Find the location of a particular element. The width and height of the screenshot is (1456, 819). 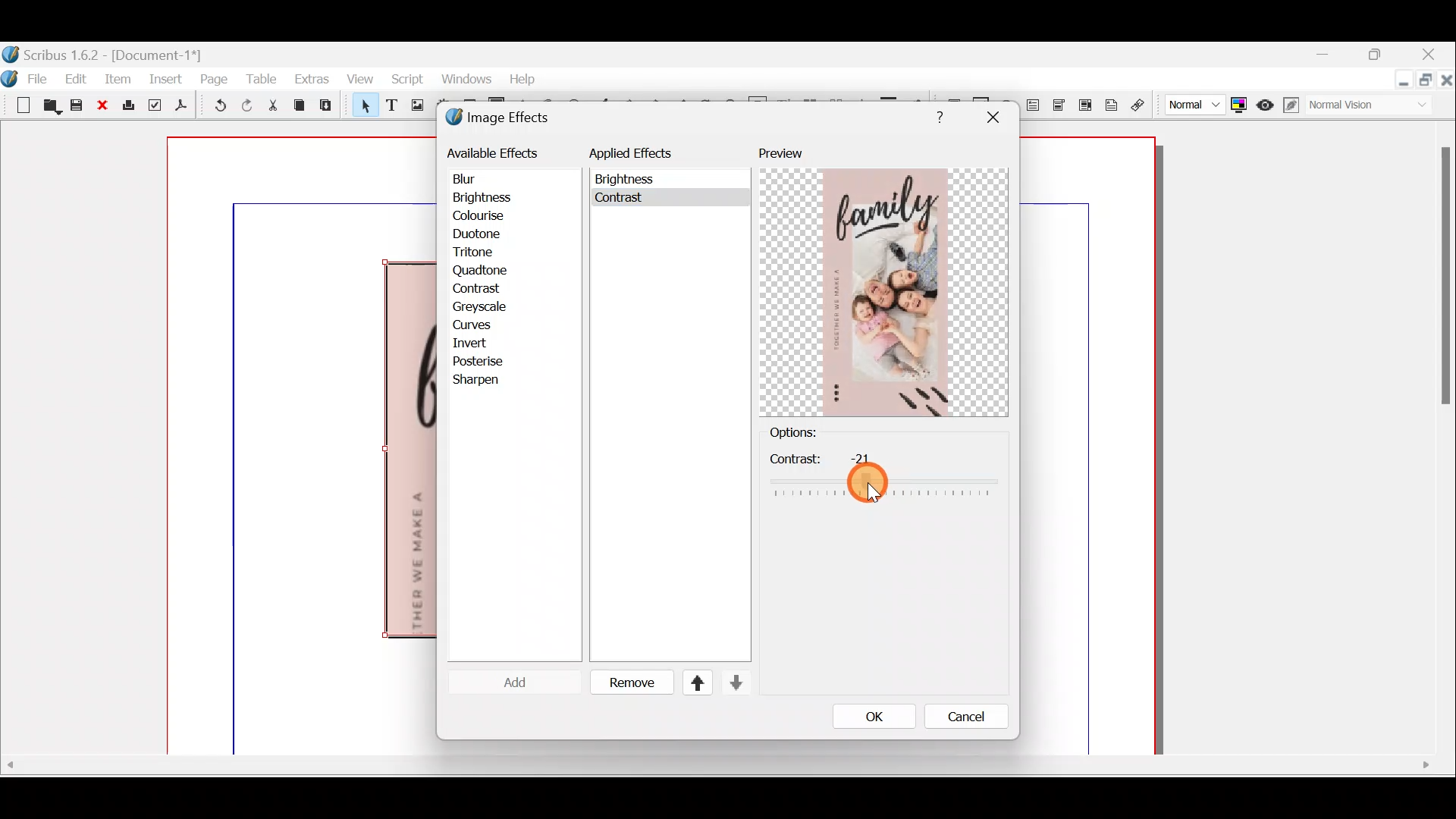

 is located at coordinates (1442, 283).